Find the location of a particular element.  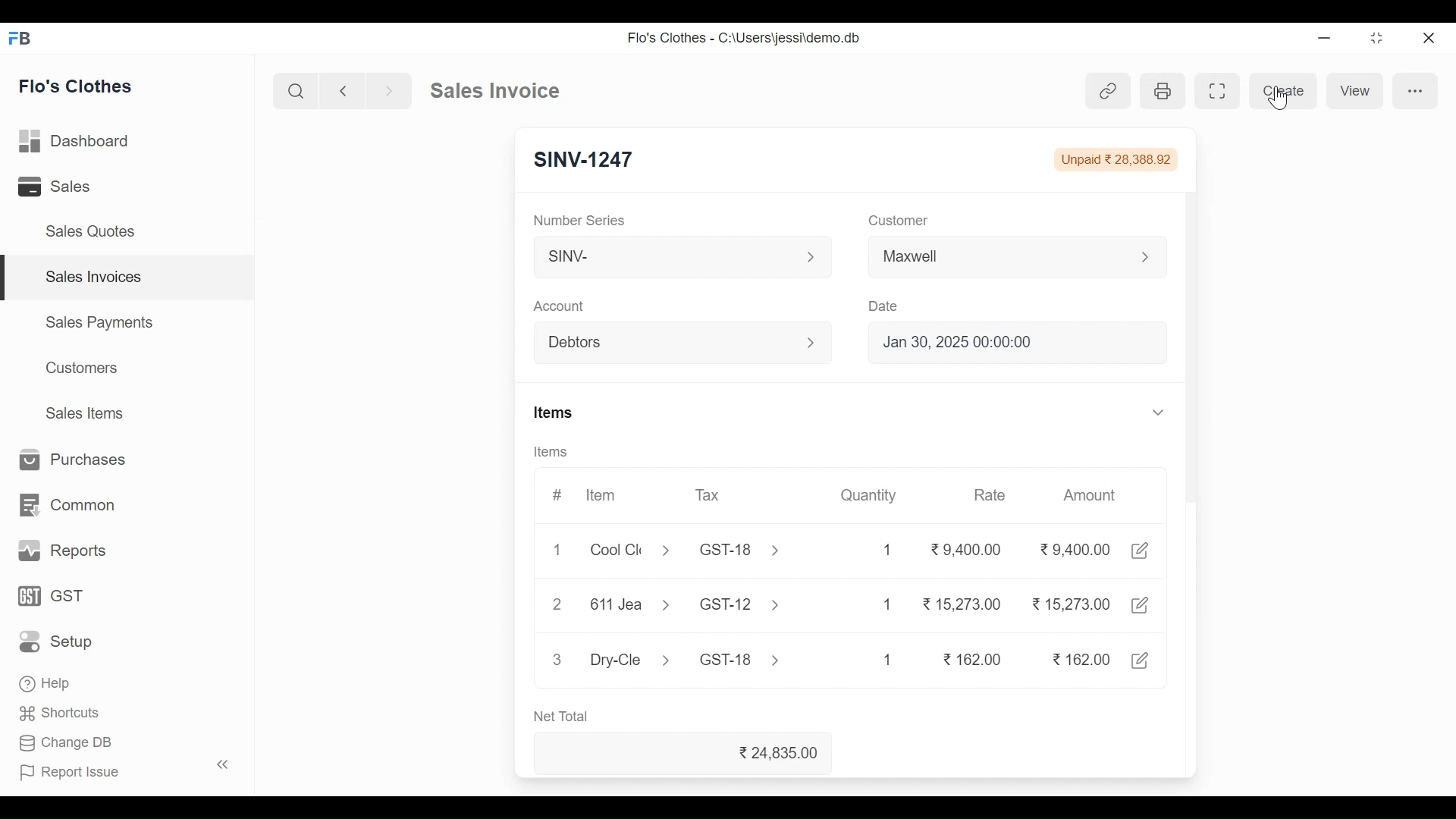

Sales Payments is located at coordinates (100, 322).